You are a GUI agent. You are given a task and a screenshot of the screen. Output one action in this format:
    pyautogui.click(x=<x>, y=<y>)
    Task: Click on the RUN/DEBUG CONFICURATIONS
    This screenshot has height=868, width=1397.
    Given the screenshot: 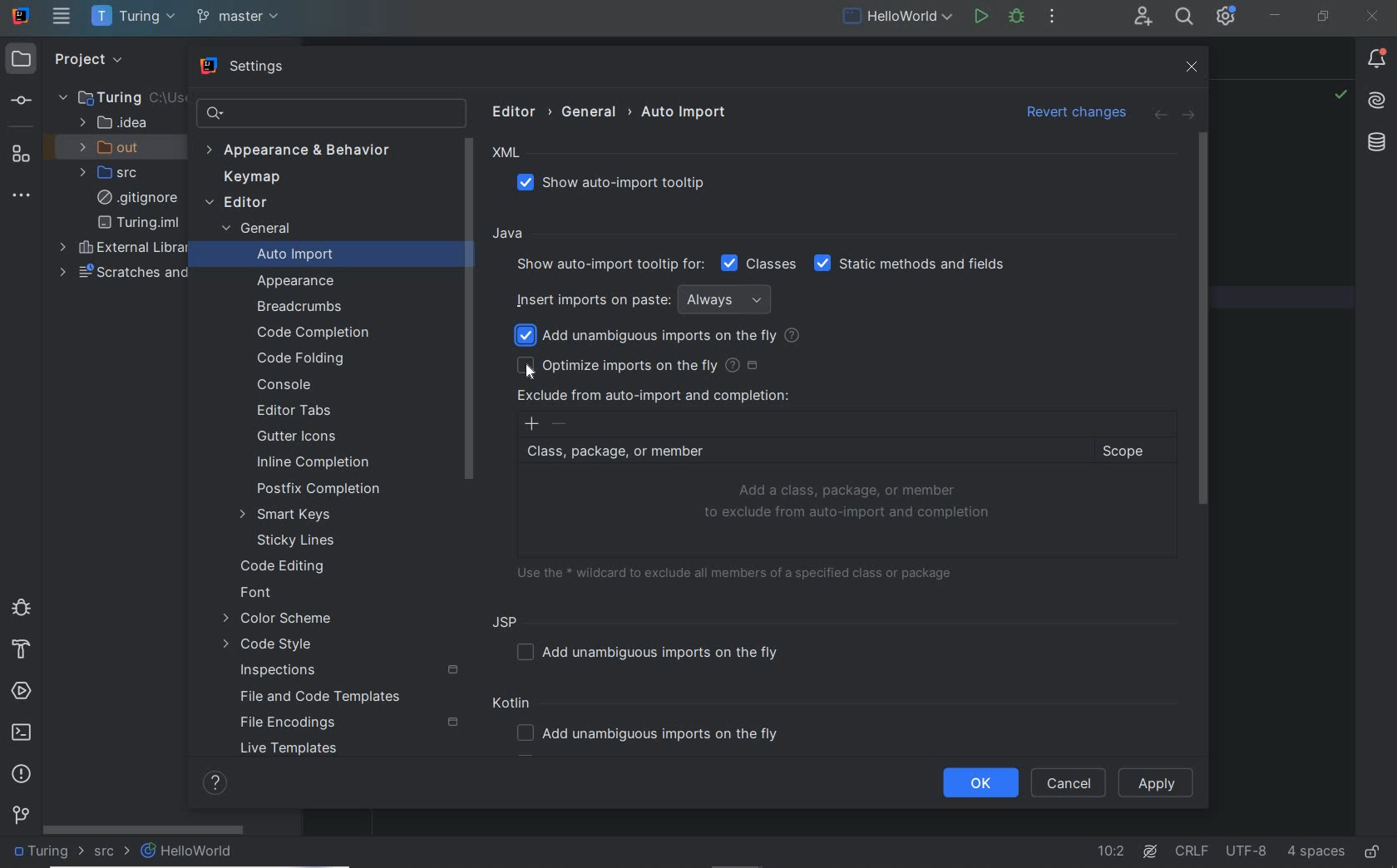 What is the action you would take?
    pyautogui.click(x=898, y=16)
    